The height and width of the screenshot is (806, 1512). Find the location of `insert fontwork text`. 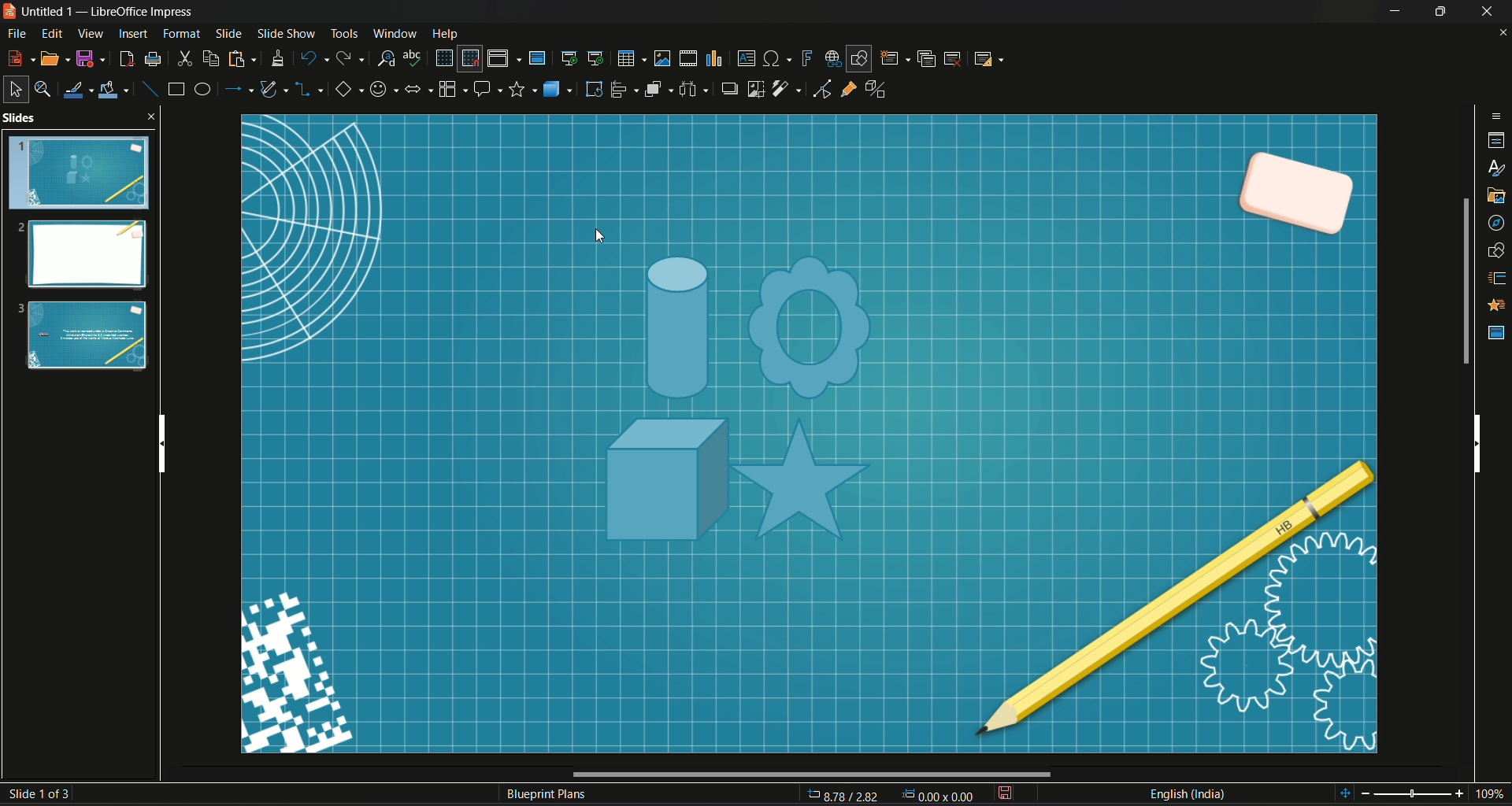

insert fontwork text is located at coordinates (806, 57).